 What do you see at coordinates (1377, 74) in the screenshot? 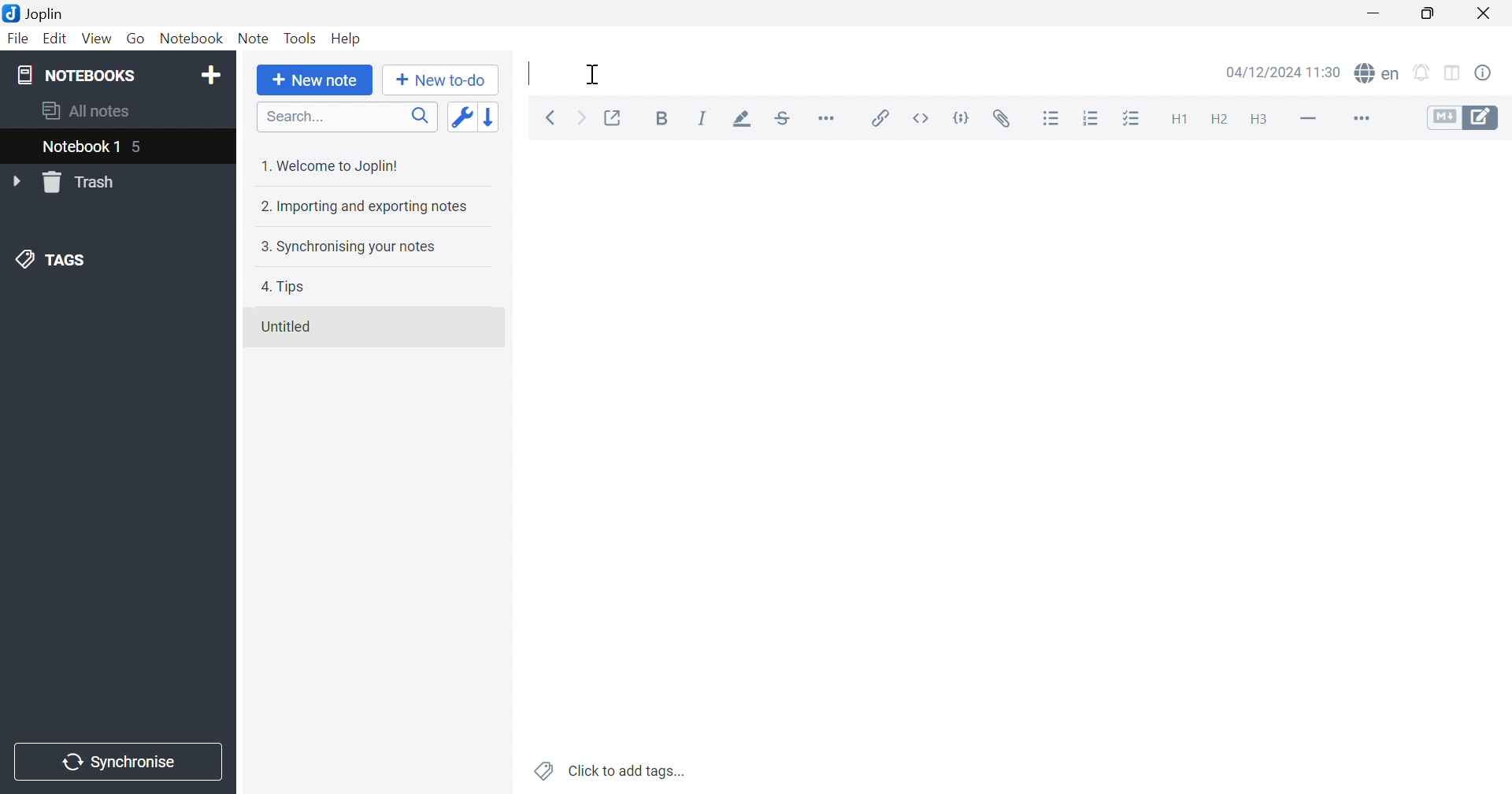
I see `spell checker` at bounding box center [1377, 74].